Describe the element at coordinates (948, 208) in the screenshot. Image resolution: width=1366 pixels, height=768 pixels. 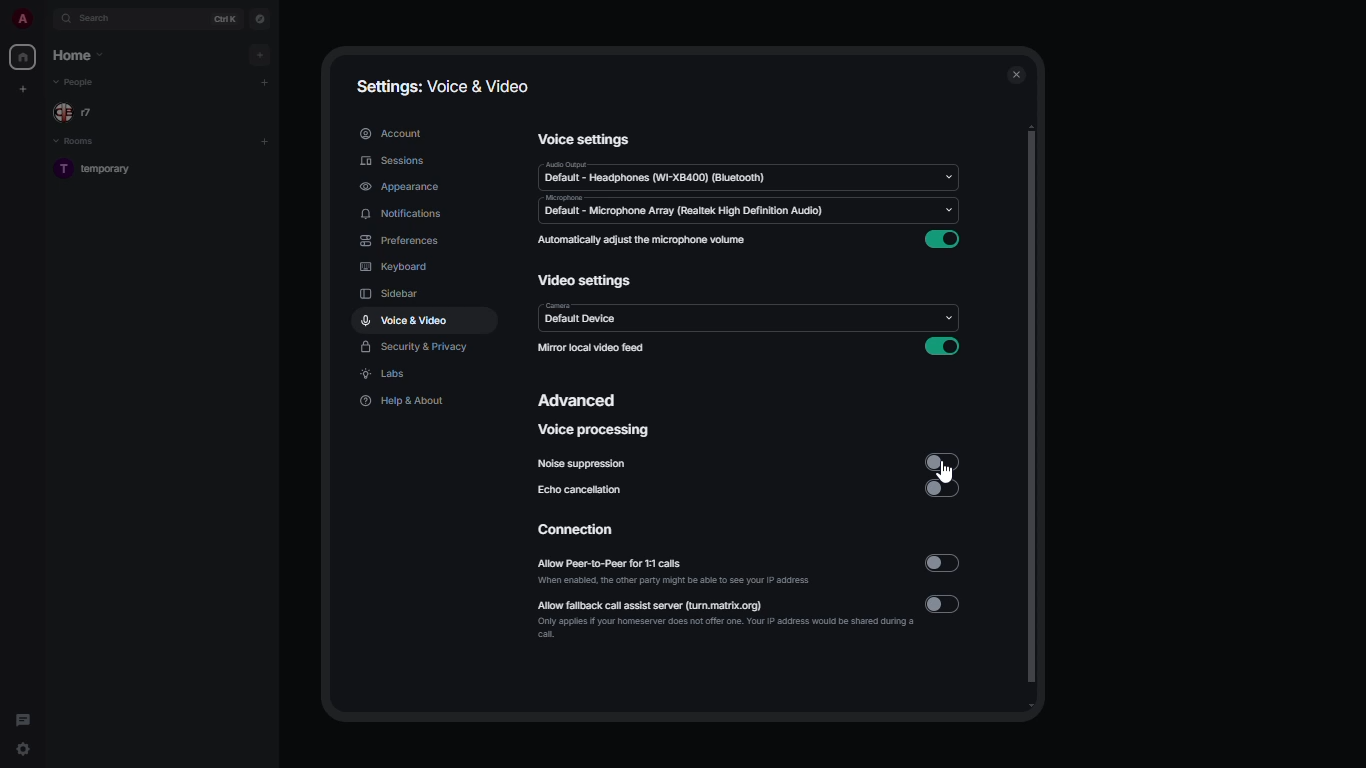
I see `drop down` at that location.